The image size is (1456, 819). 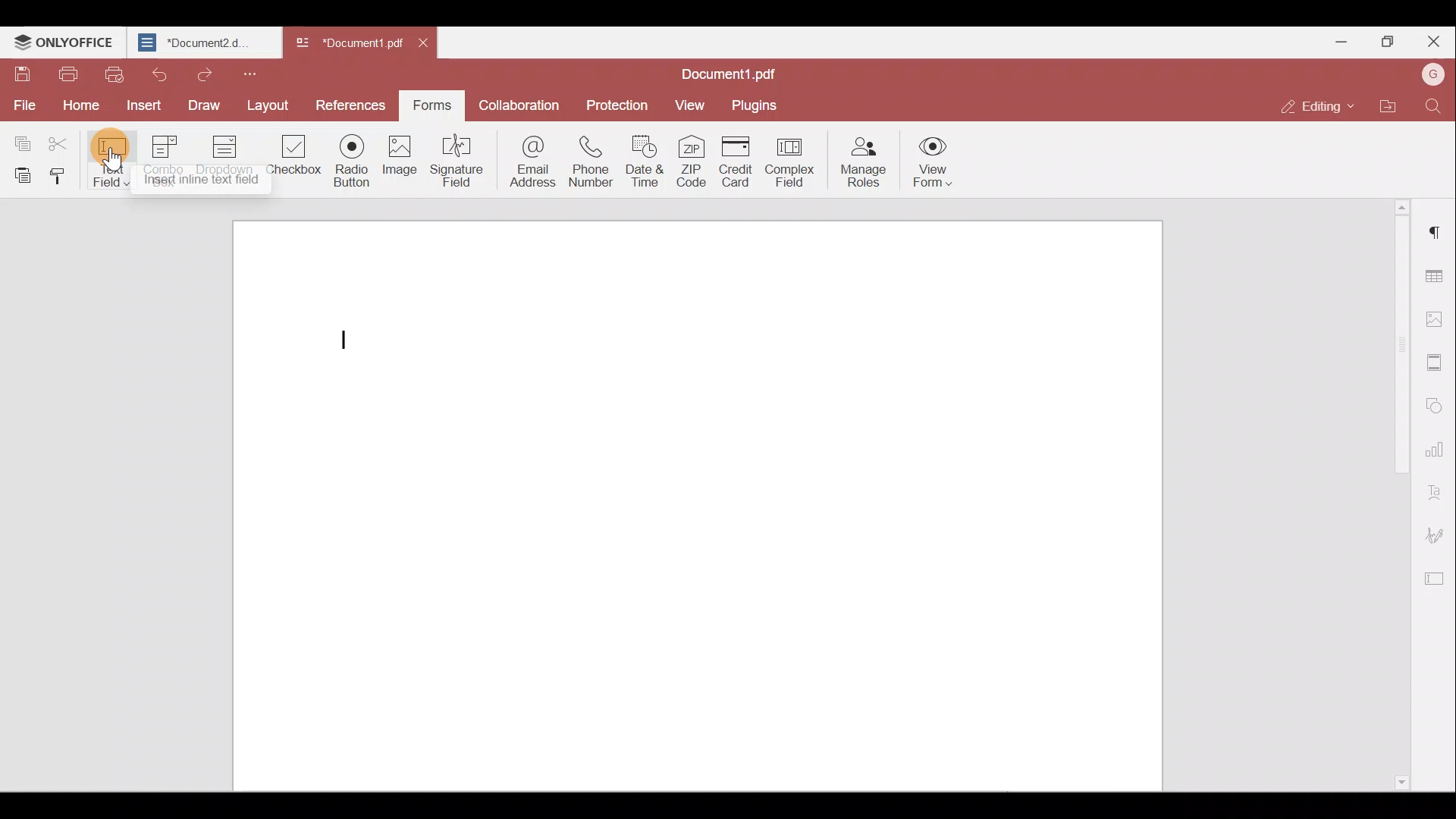 I want to click on Text Art settings, so click(x=1438, y=488).